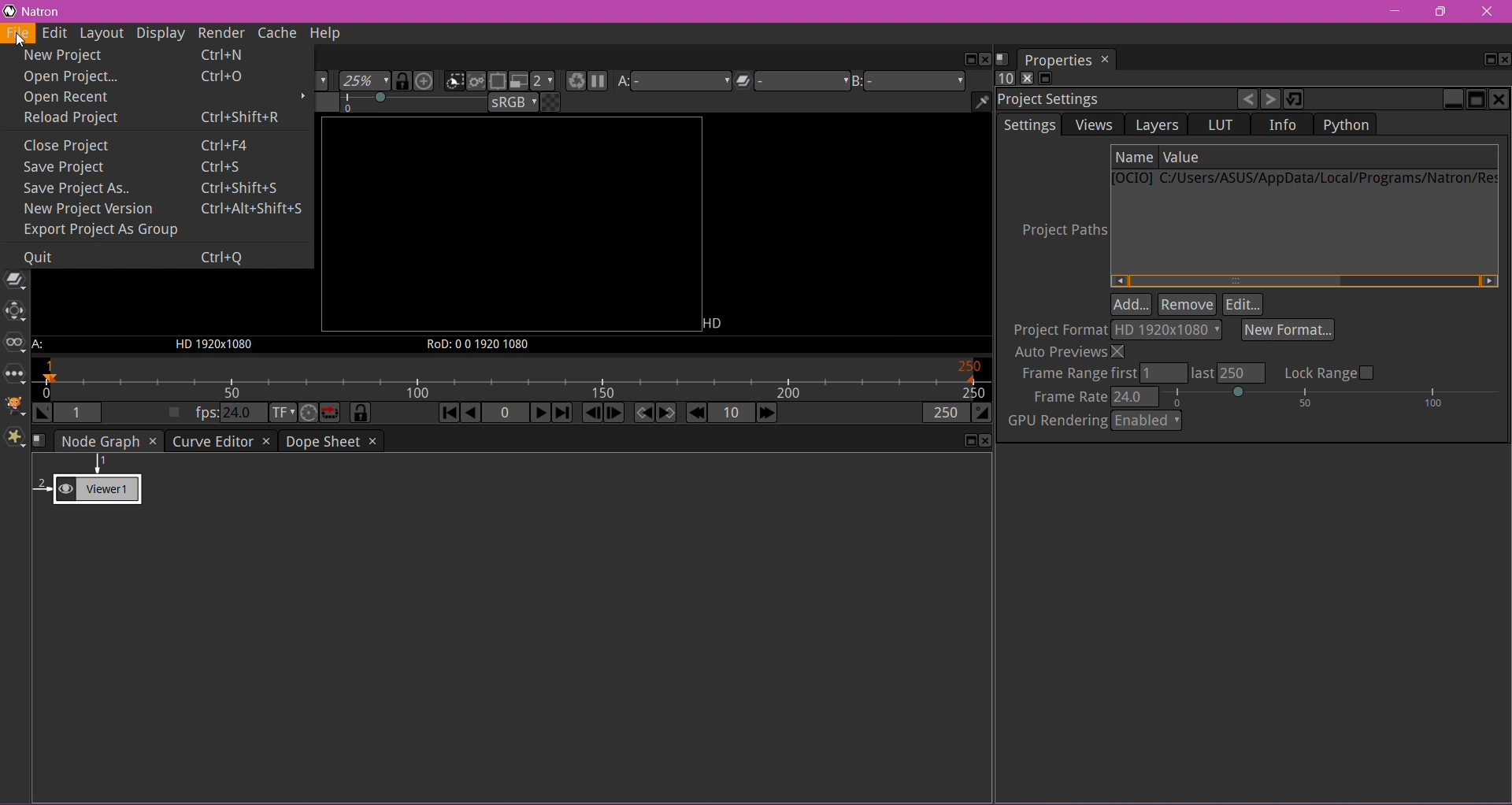 The width and height of the screenshot is (1512, 805). What do you see at coordinates (283, 414) in the screenshot?
I see `Set the time display format` at bounding box center [283, 414].